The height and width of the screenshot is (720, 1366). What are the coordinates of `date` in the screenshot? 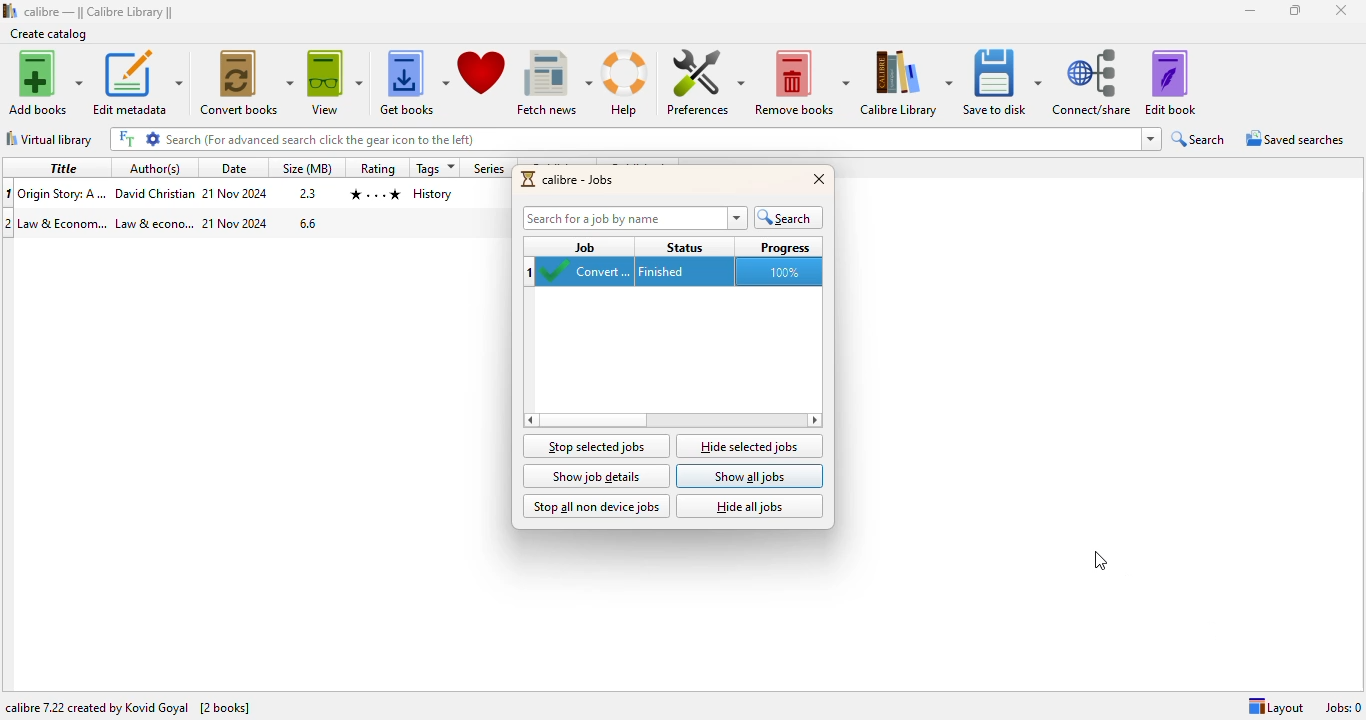 It's located at (234, 194).